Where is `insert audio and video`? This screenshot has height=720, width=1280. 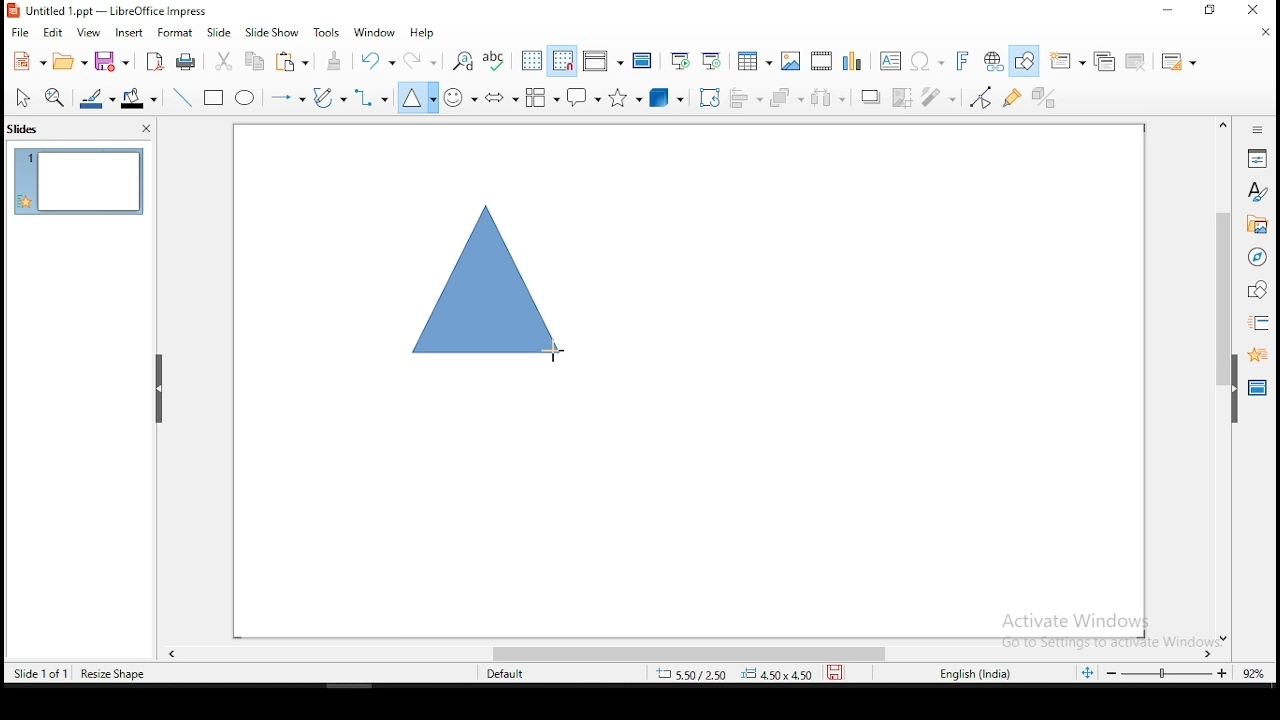 insert audio and video is located at coordinates (821, 59).